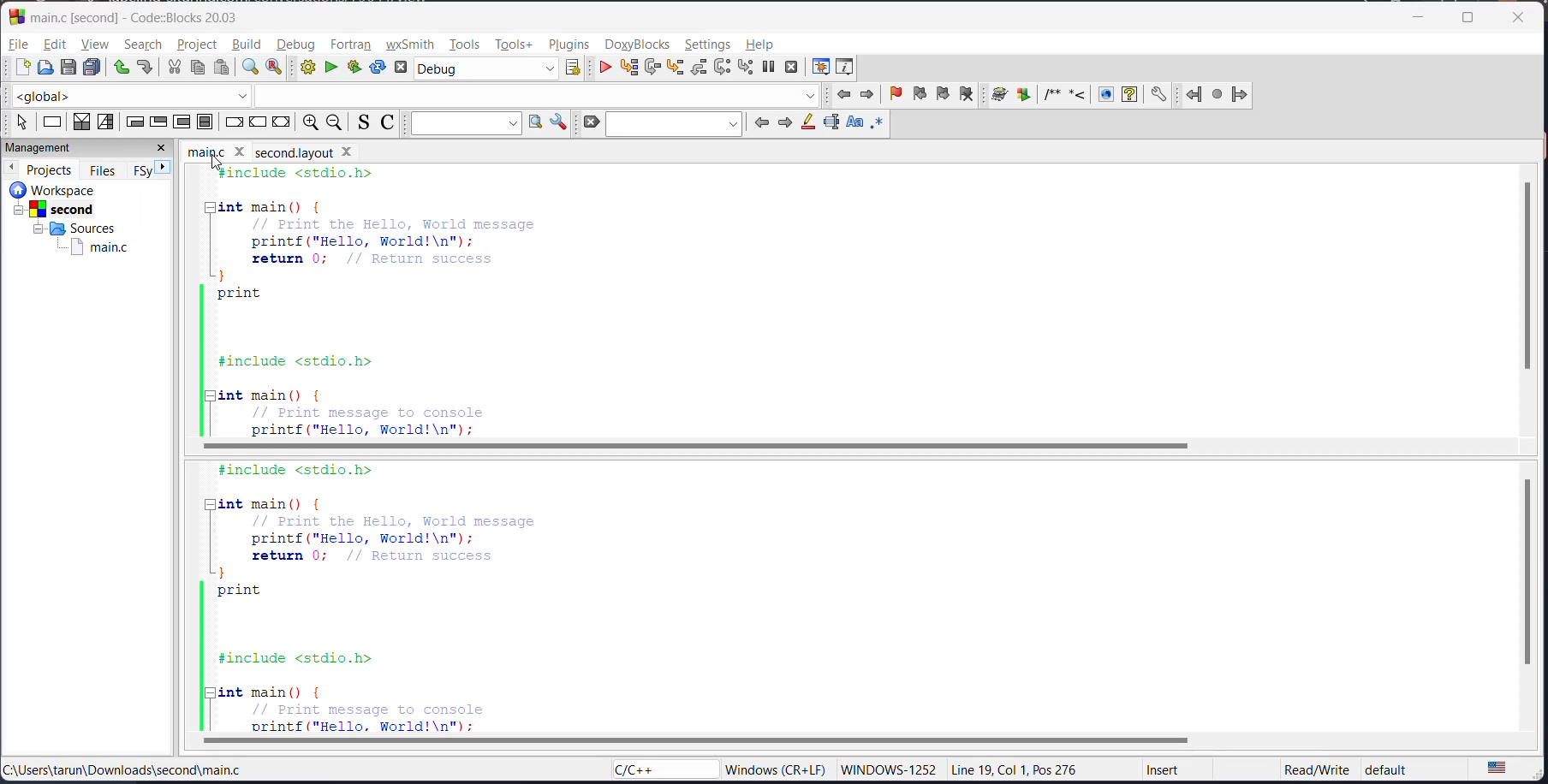  I want to click on doxyblocks references, so click(1078, 95).